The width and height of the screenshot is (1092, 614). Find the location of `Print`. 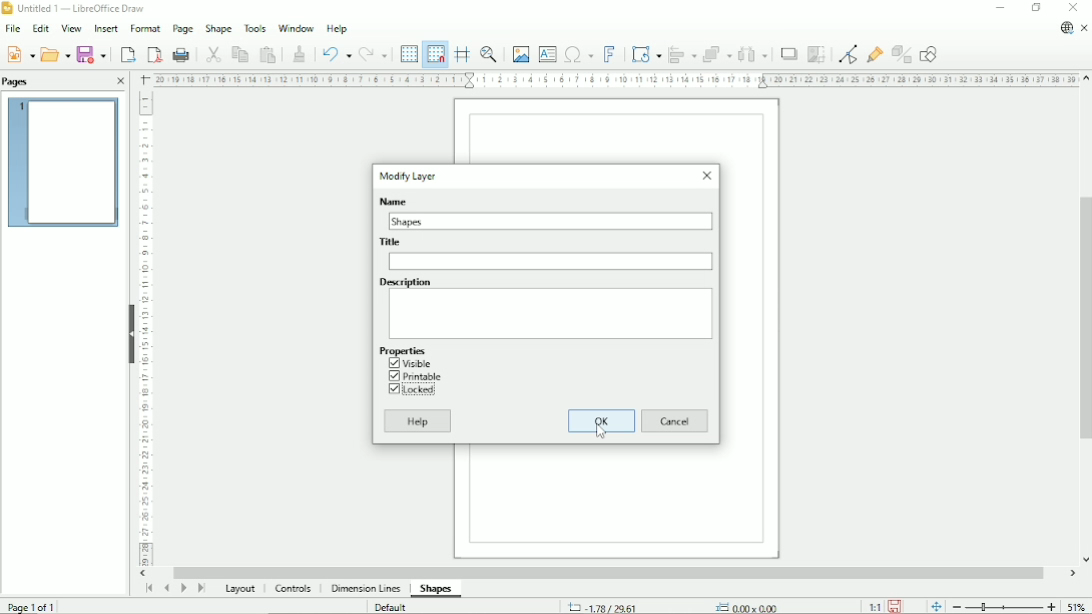

Print is located at coordinates (181, 54).